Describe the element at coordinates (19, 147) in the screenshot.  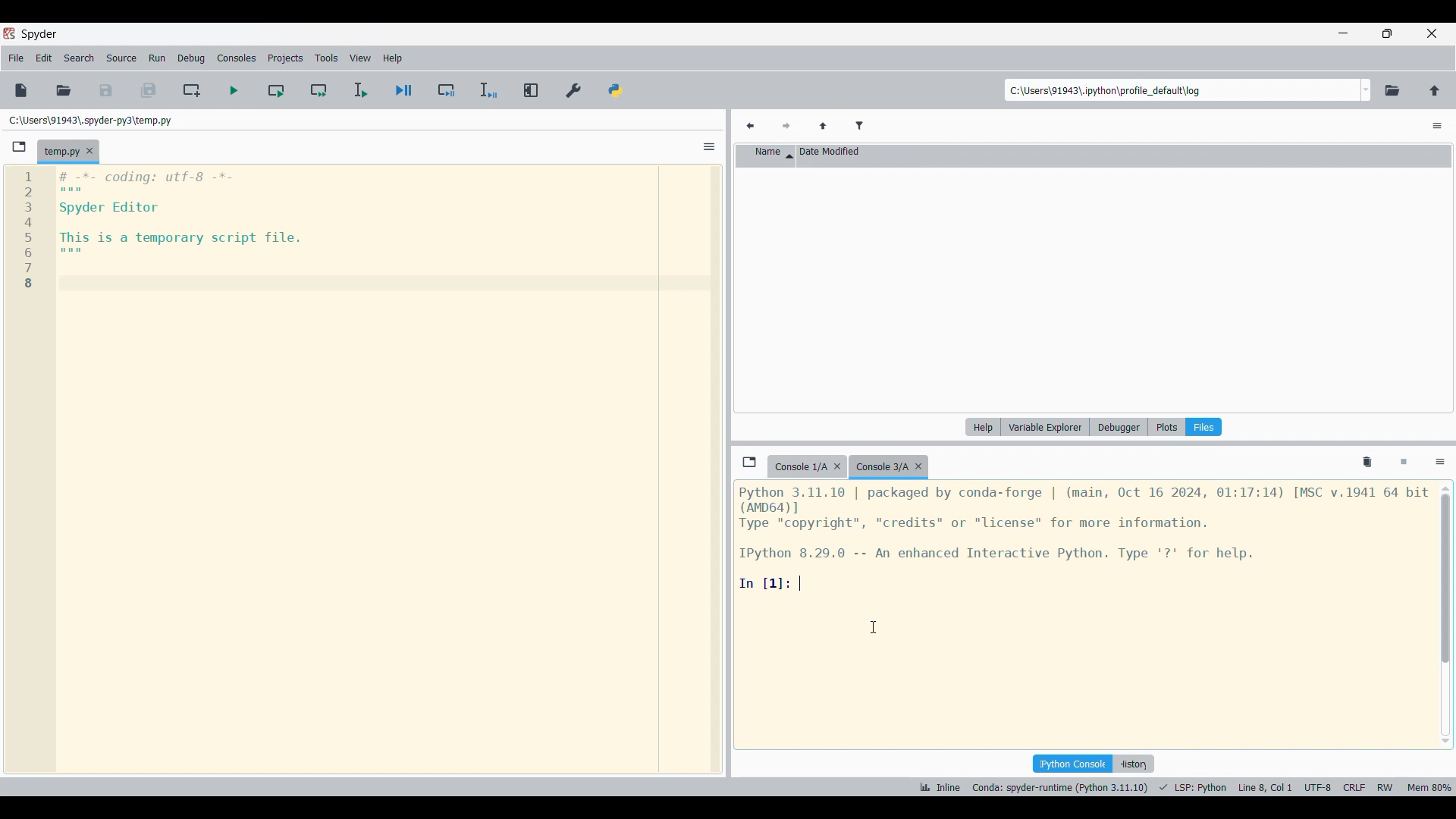
I see `Browse tab` at that location.